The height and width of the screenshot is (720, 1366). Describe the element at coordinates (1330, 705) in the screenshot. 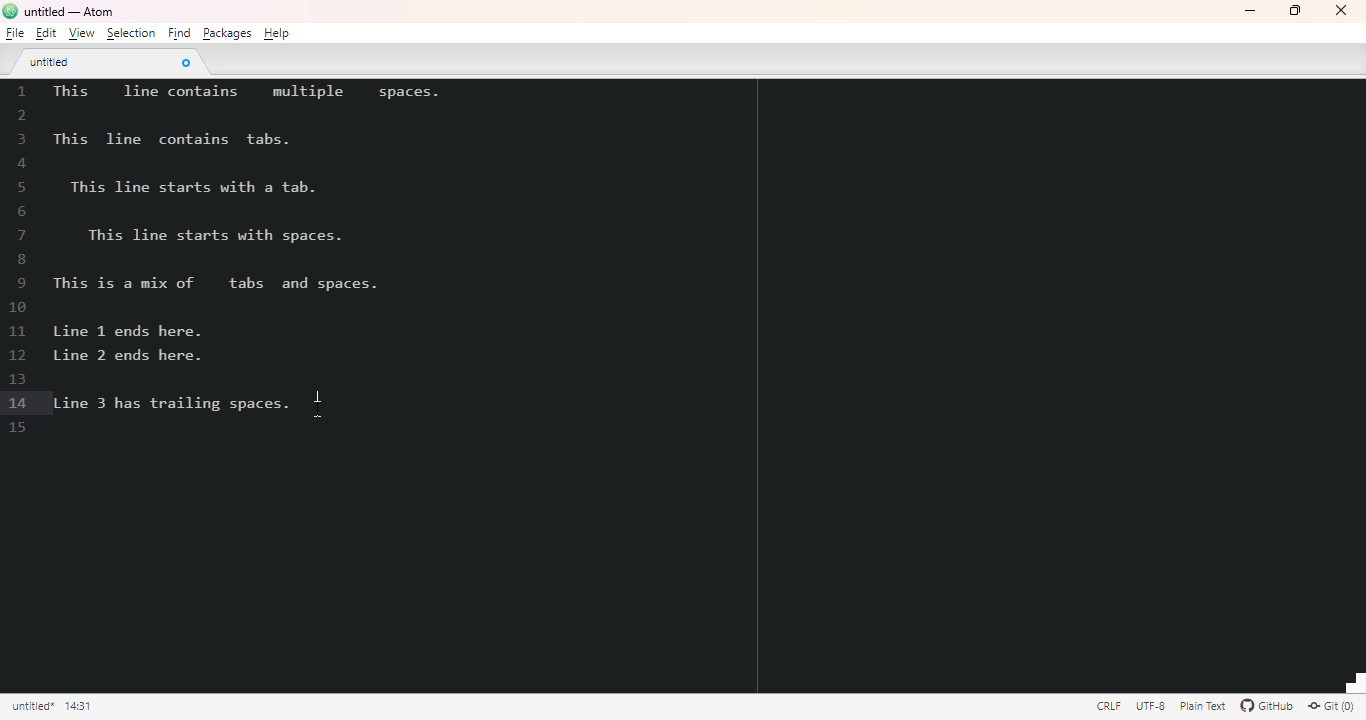

I see `Git(0)` at that location.